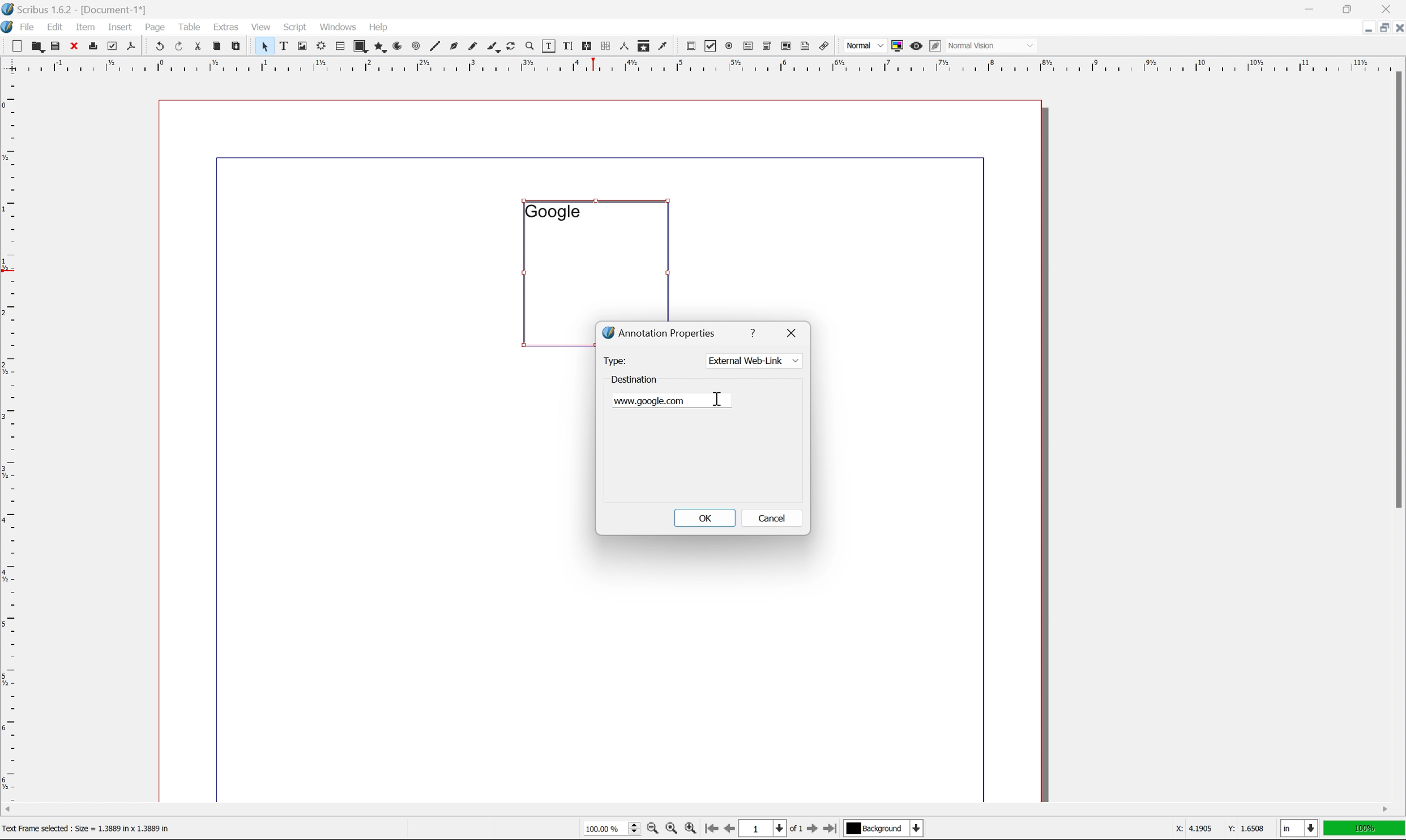 This screenshot has width=1406, height=840. I want to click on copy, so click(219, 47).